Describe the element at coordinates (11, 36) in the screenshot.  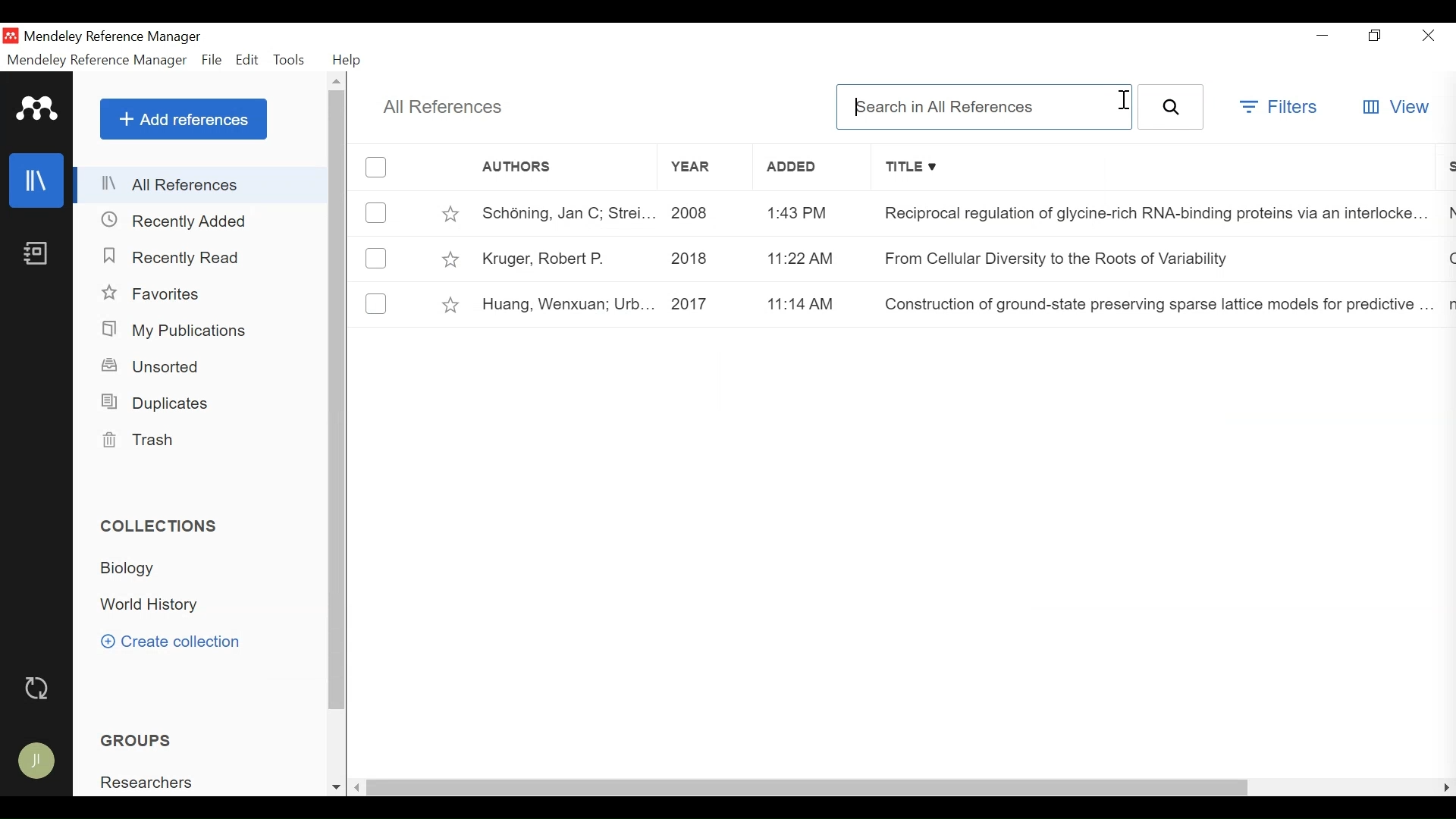
I see `Mendeley Desktop Icon` at that location.